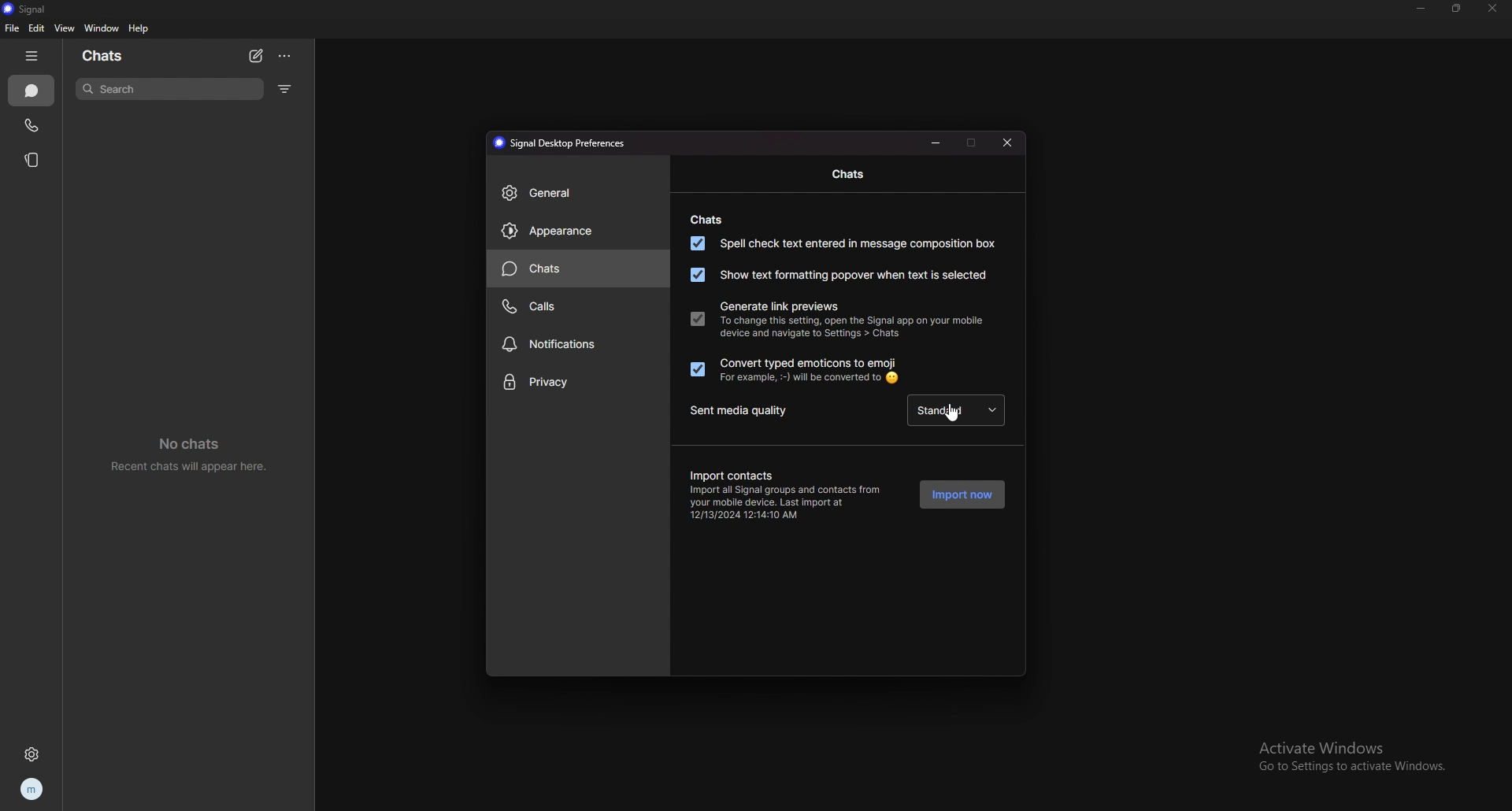 This screenshot has width=1512, height=811. What do you see at coordinates (139, 28) in the screenshot?
I see `help` at bounding box center [139, 28].